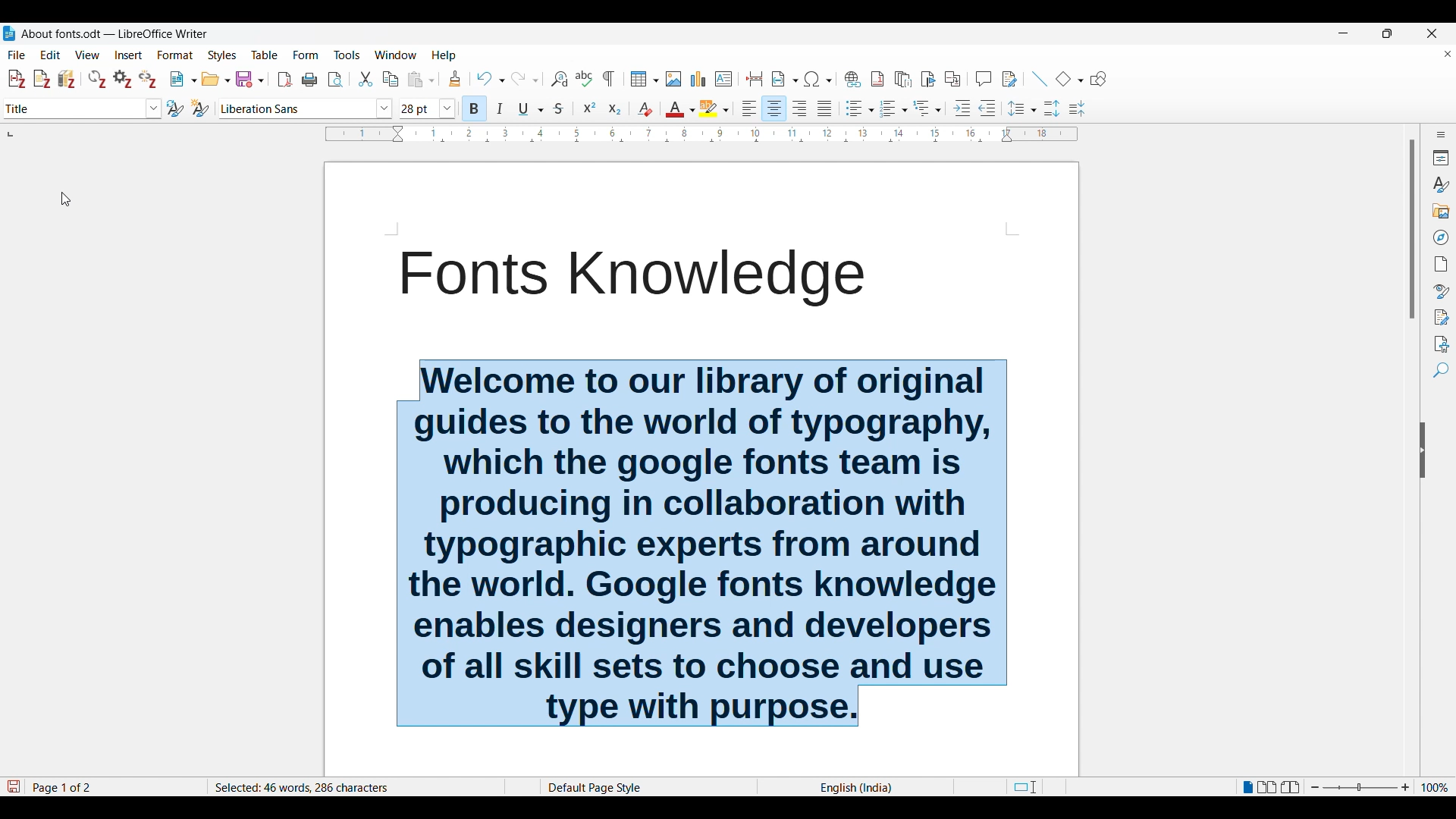 The height and width of the screenshot is (819, 1456). What do you see at coordinates (455, 79) in the screenshot?
I see `Clone formatting` at bounding box center [455, 79].